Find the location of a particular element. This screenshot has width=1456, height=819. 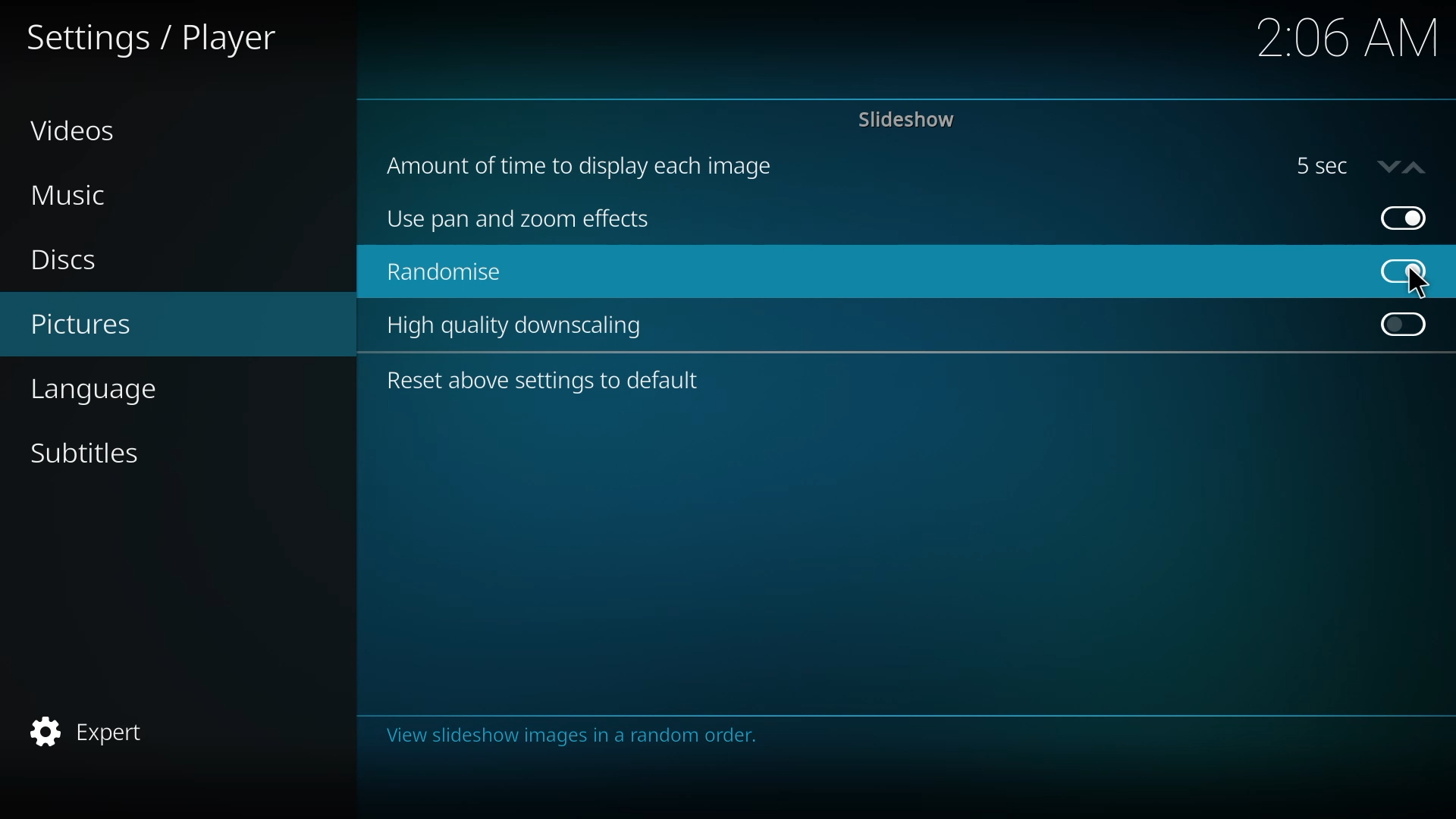

high quality downscaling is located at coordinates (519, 328).